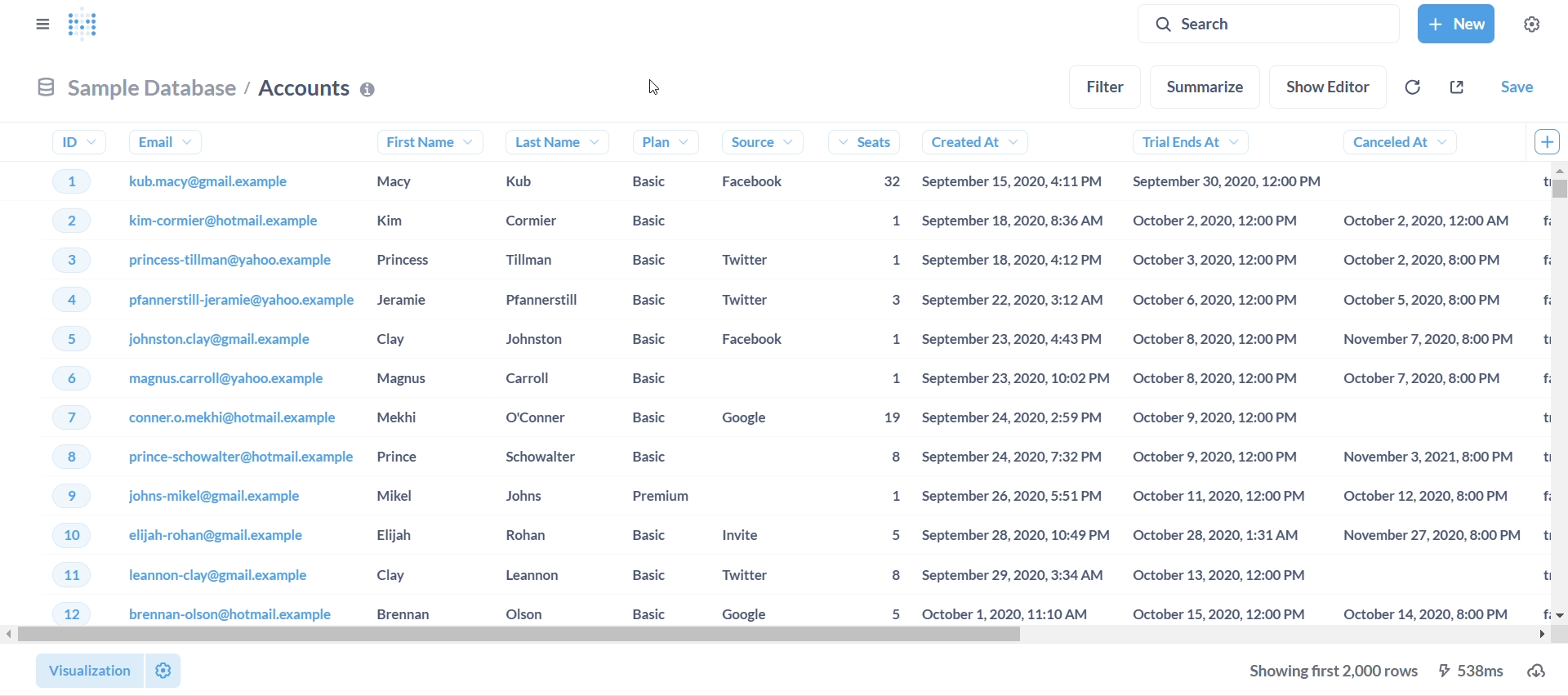 This screenshot has height=696, width=1568. Describe the element at coordinates (163, 670) in the screenshot. I see `settings` at that location.